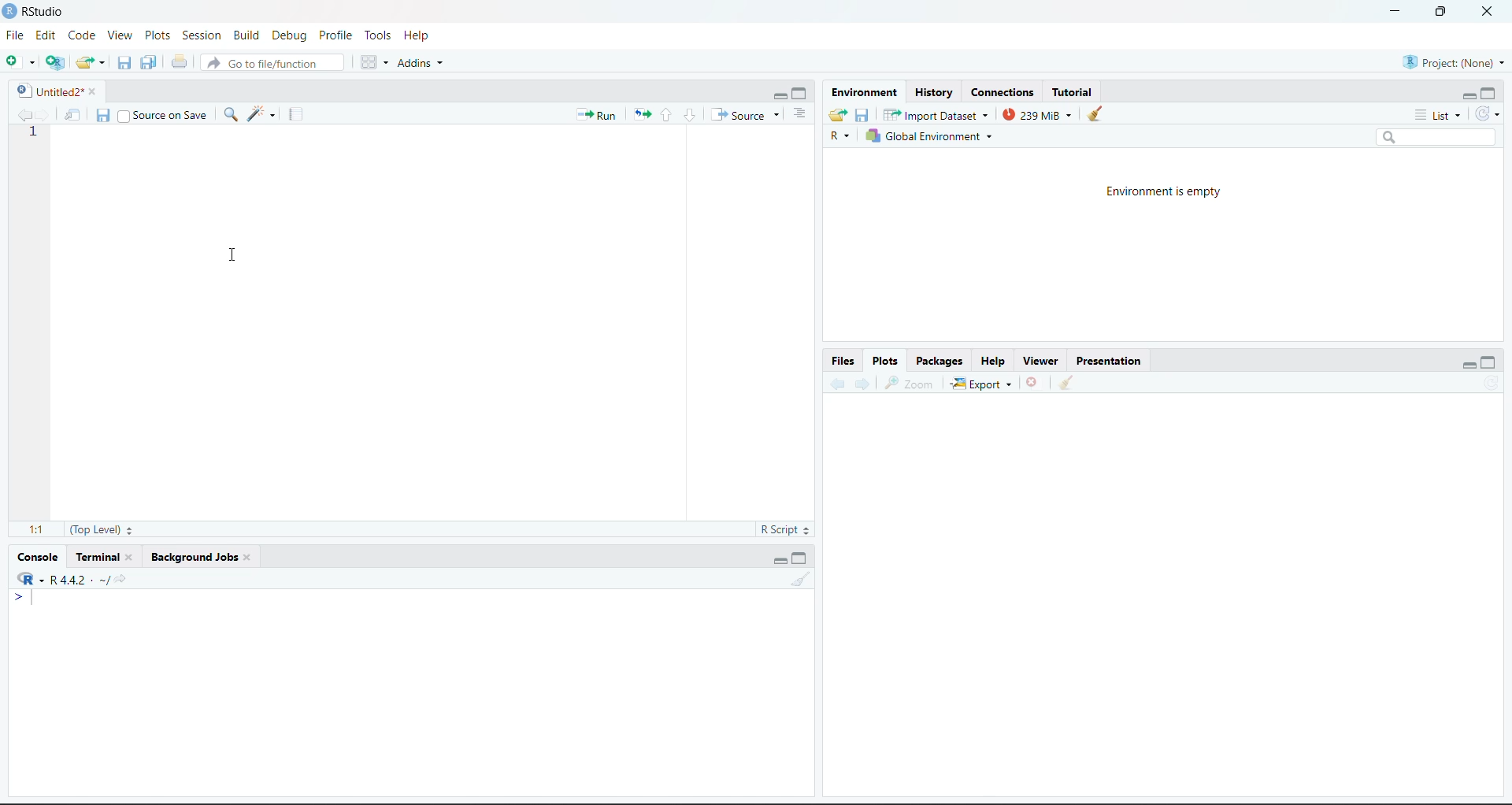 This screenshot has height=805, width=1512. Describe the element at coordinates (597, 113) in the screenshot. I see `Run the current line or selection (Ctrl + Enter)` at that location.